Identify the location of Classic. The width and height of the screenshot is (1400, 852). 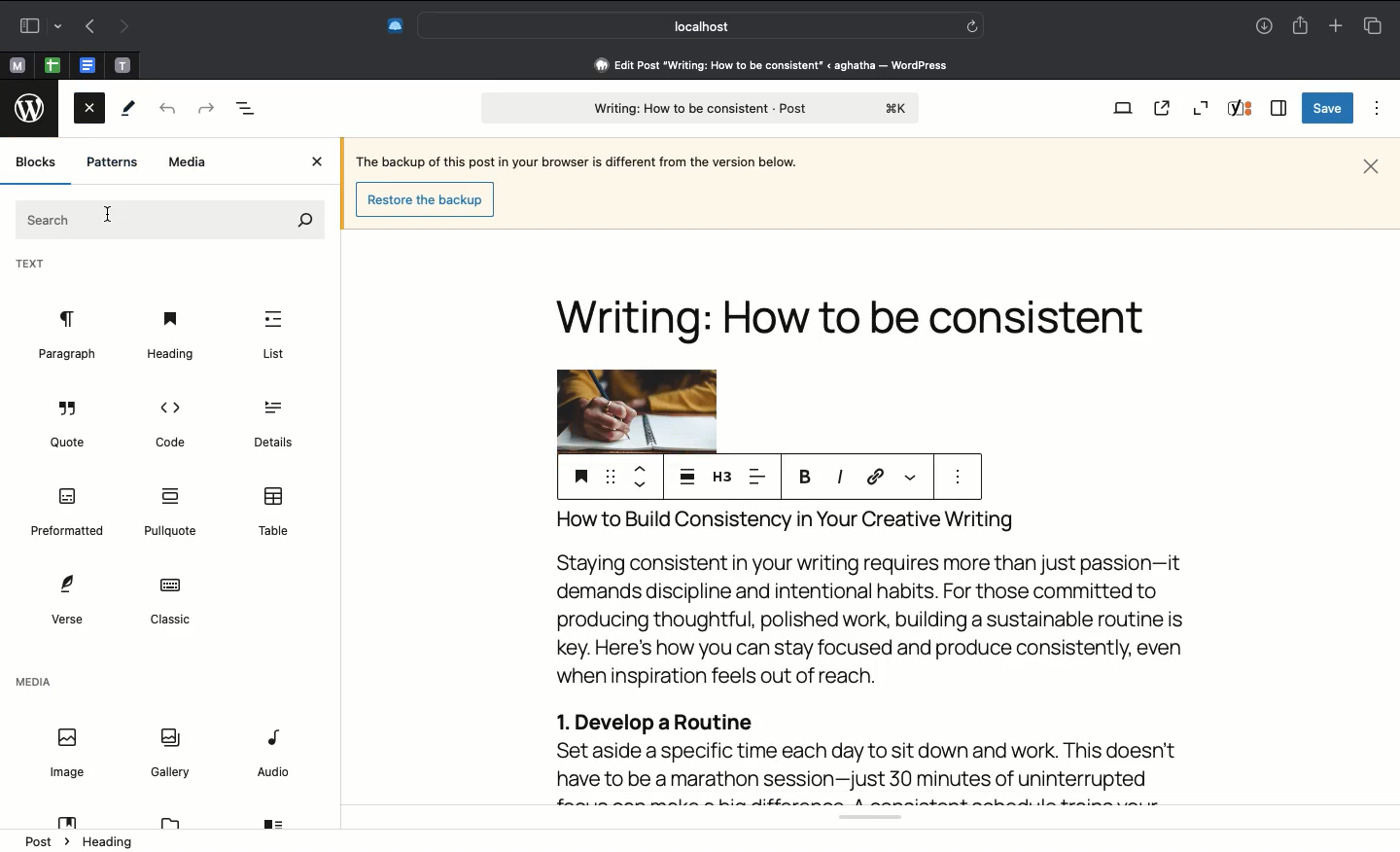
(169, 602).